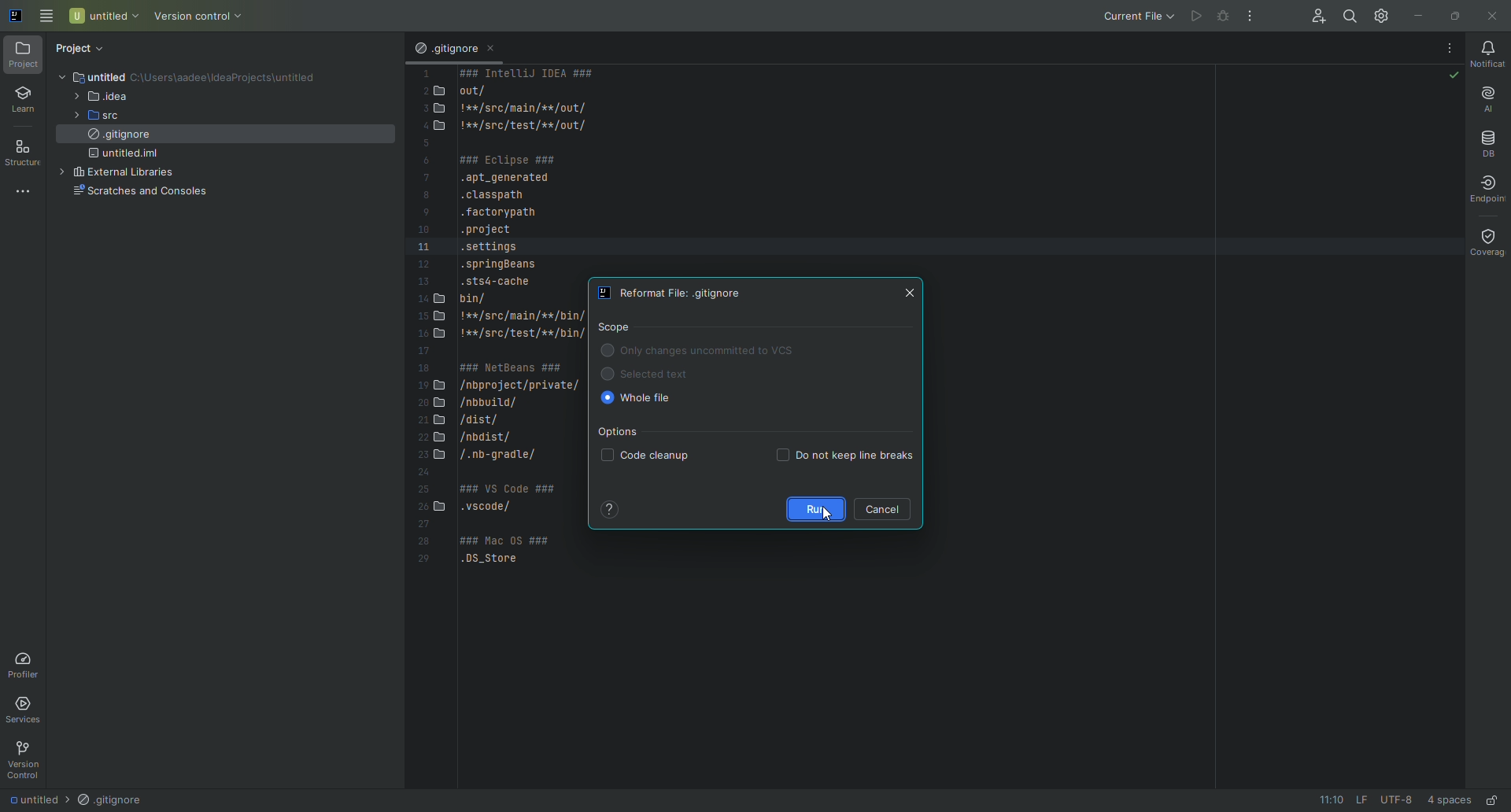  I want to click on 4 spaces(indent), so click(1451, 798).